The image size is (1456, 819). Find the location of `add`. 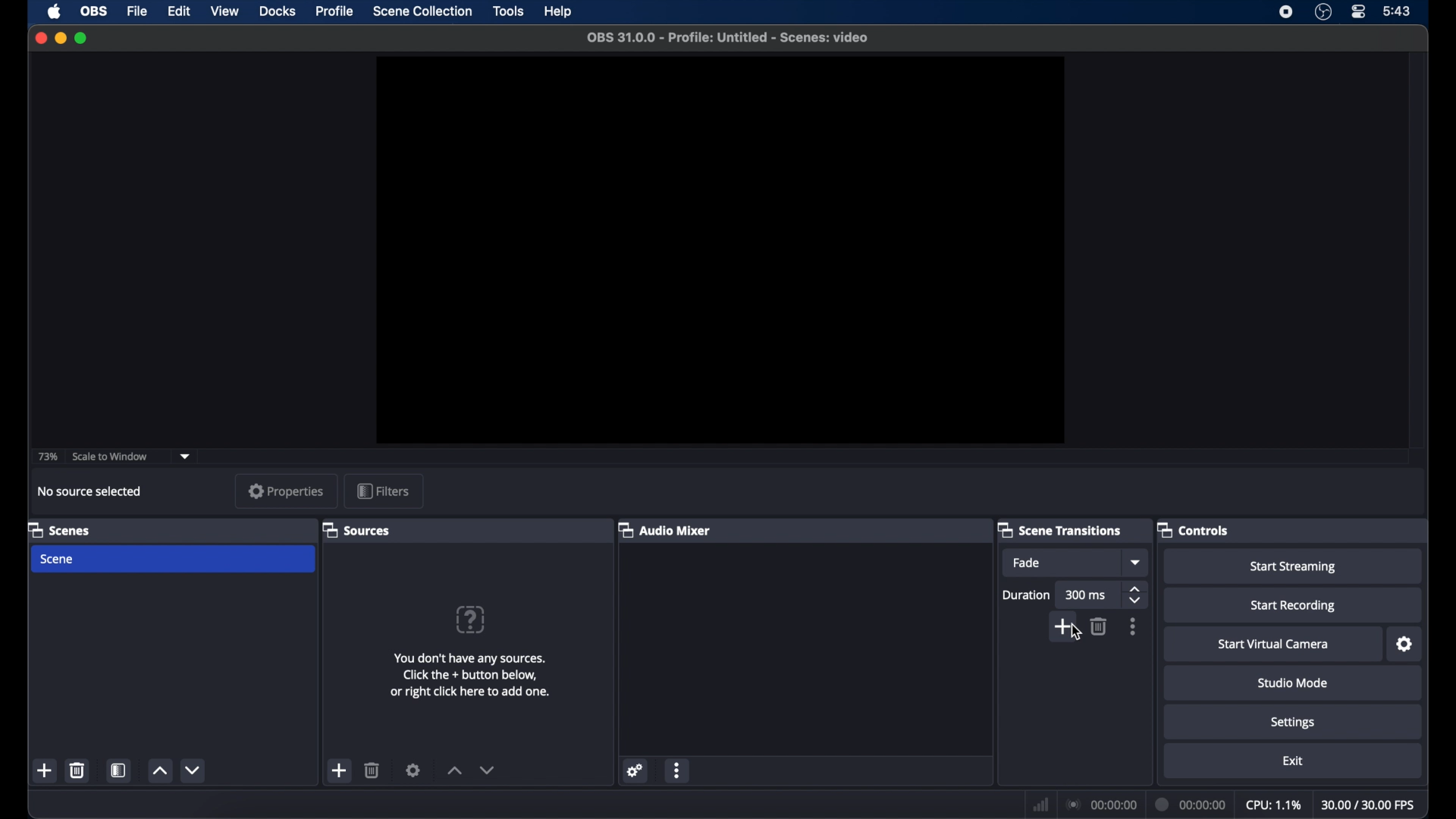

add is located at coordinates (1059, 629).